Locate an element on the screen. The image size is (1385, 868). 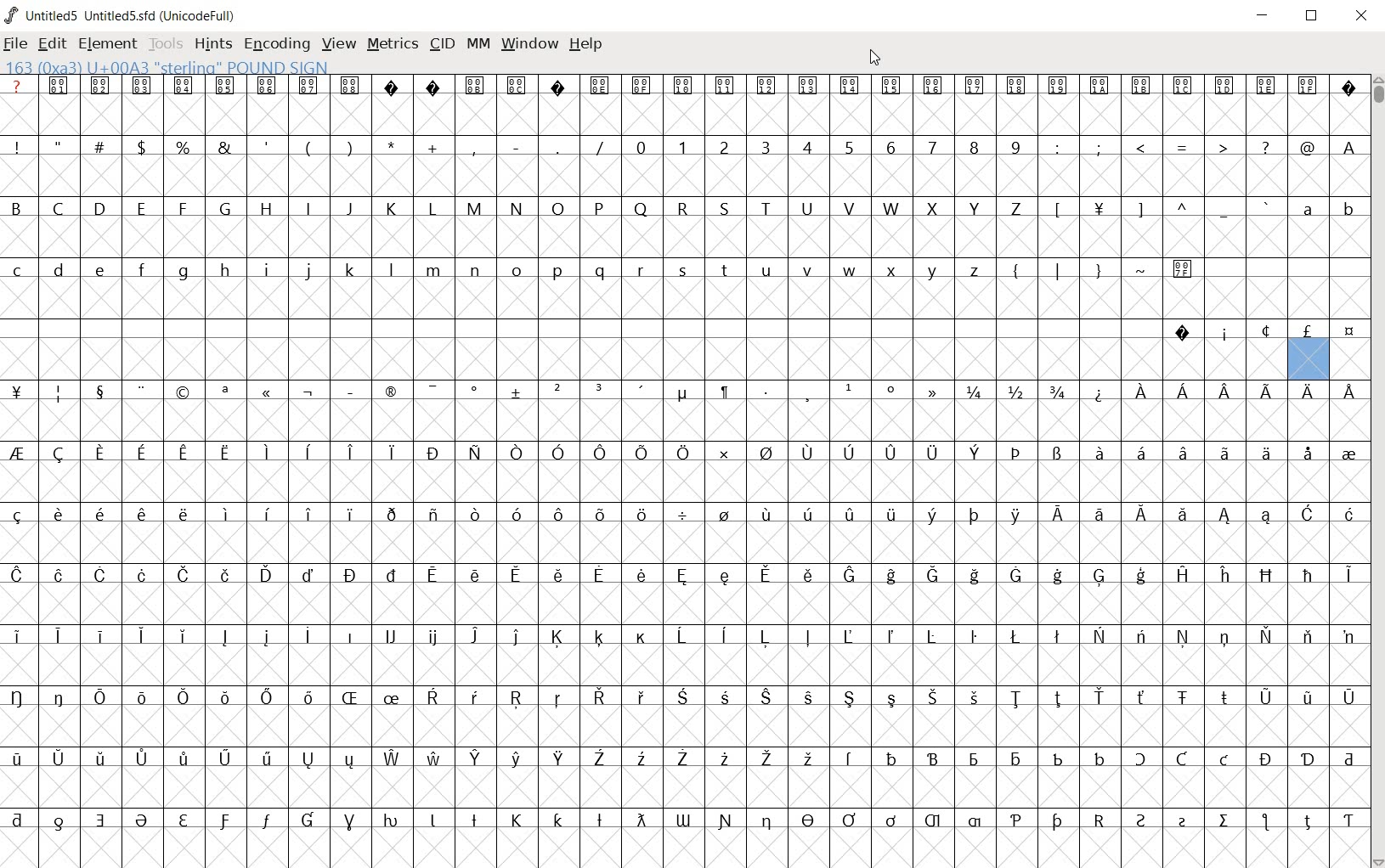
Symbol is located at coordinates (1183, 87).